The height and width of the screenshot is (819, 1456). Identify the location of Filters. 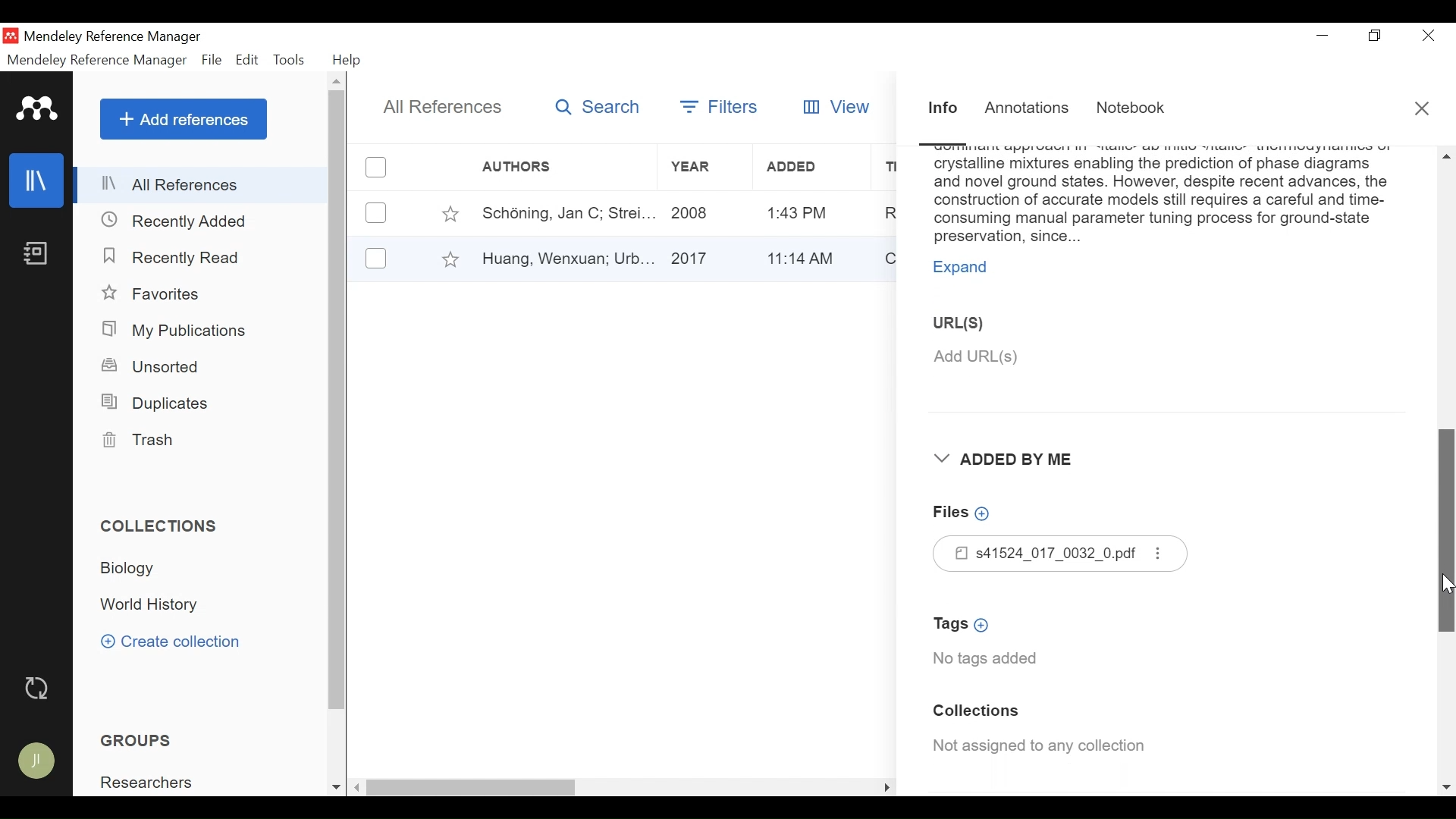
(717, 106).